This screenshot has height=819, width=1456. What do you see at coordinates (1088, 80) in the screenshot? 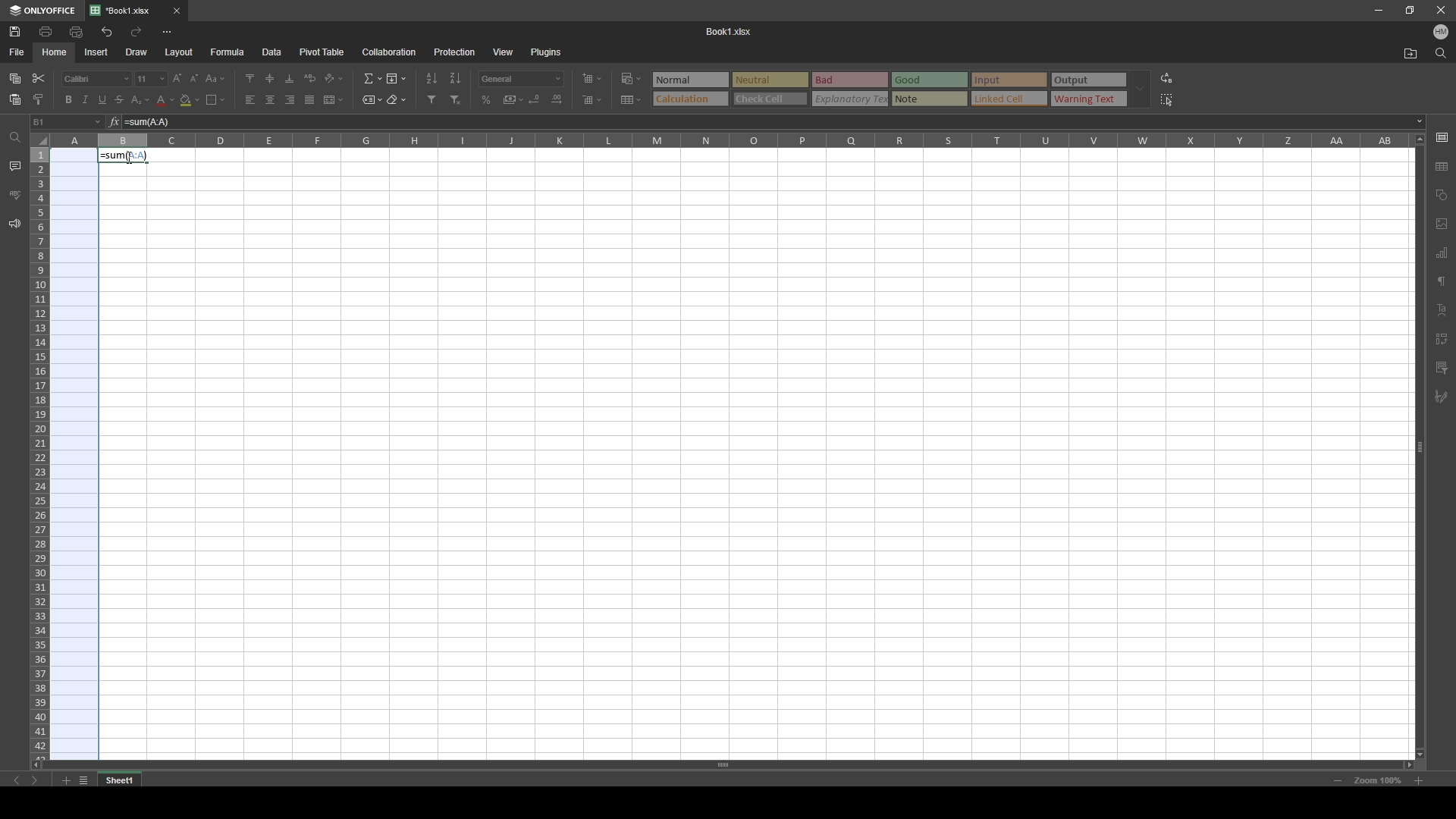
I see `Output` at bounding box center [1088, 80].